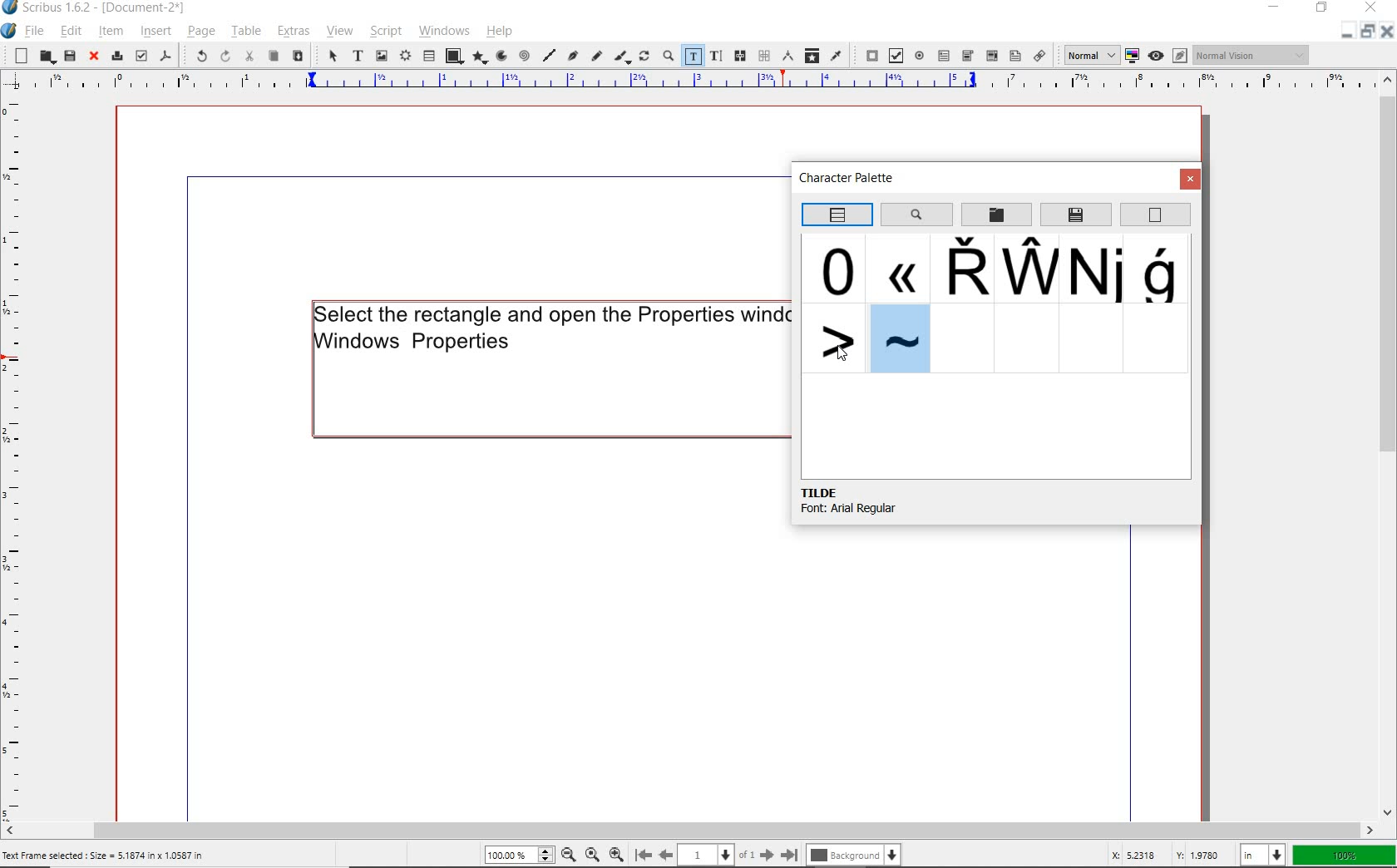  What do you see at coordinates (1264, 855) in the screenshot?
I see `select unit` at bounding box center [1264, 855].